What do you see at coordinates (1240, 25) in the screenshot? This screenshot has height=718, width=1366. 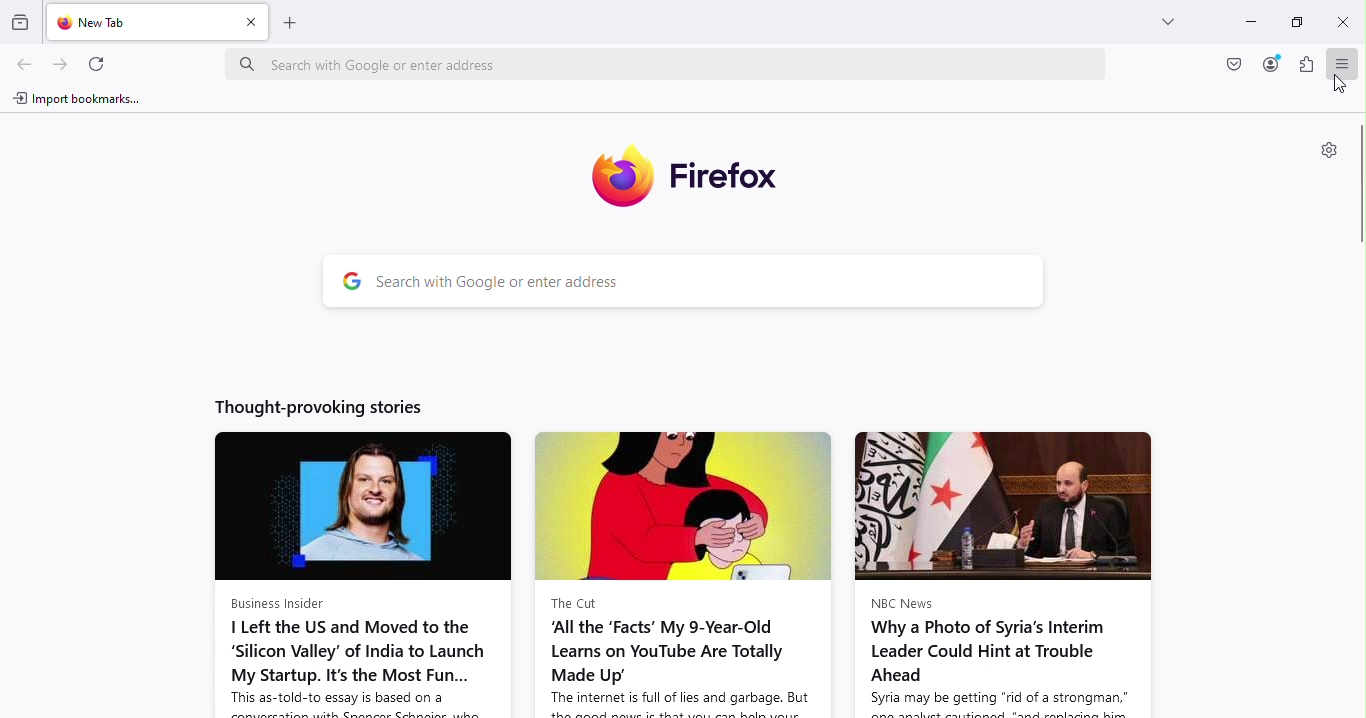 I see `Minimize` at bounding box center [1240, 25].